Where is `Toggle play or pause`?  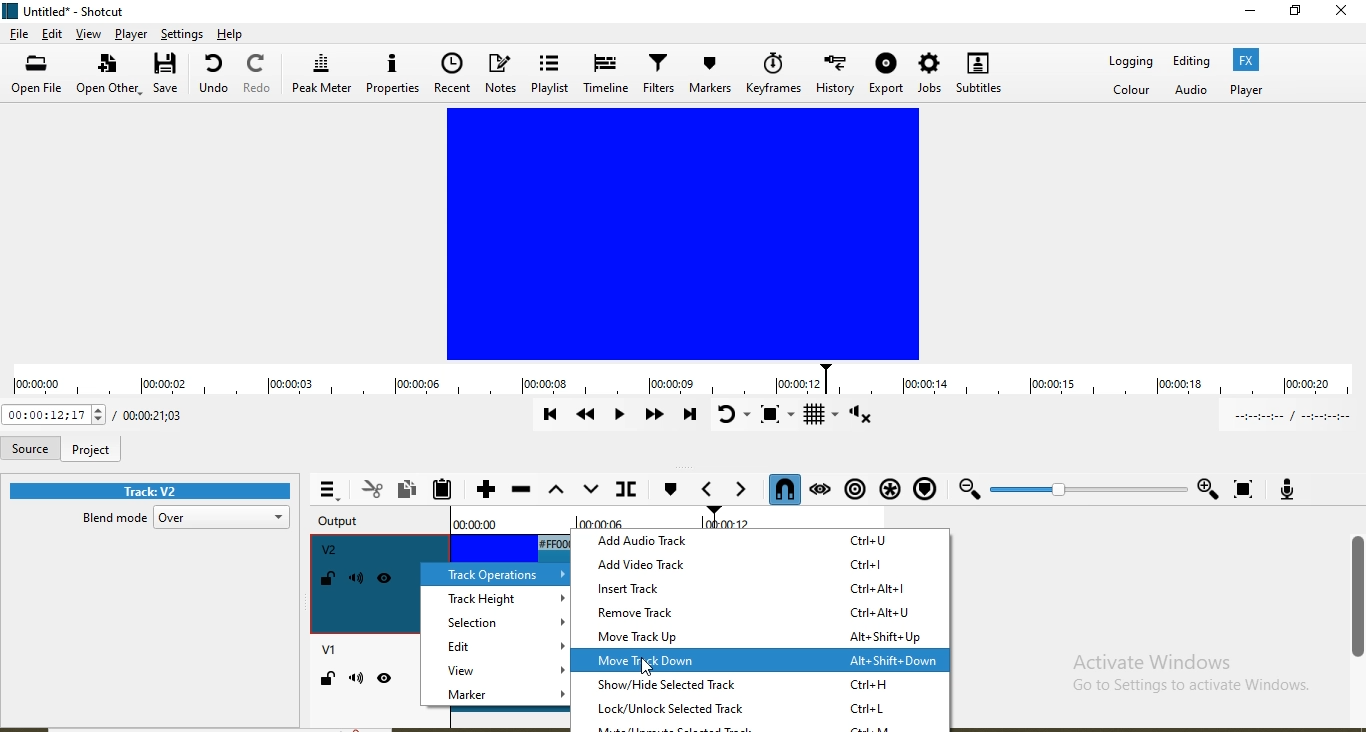 Toggle play or pause is located at coordinates (616, 413).